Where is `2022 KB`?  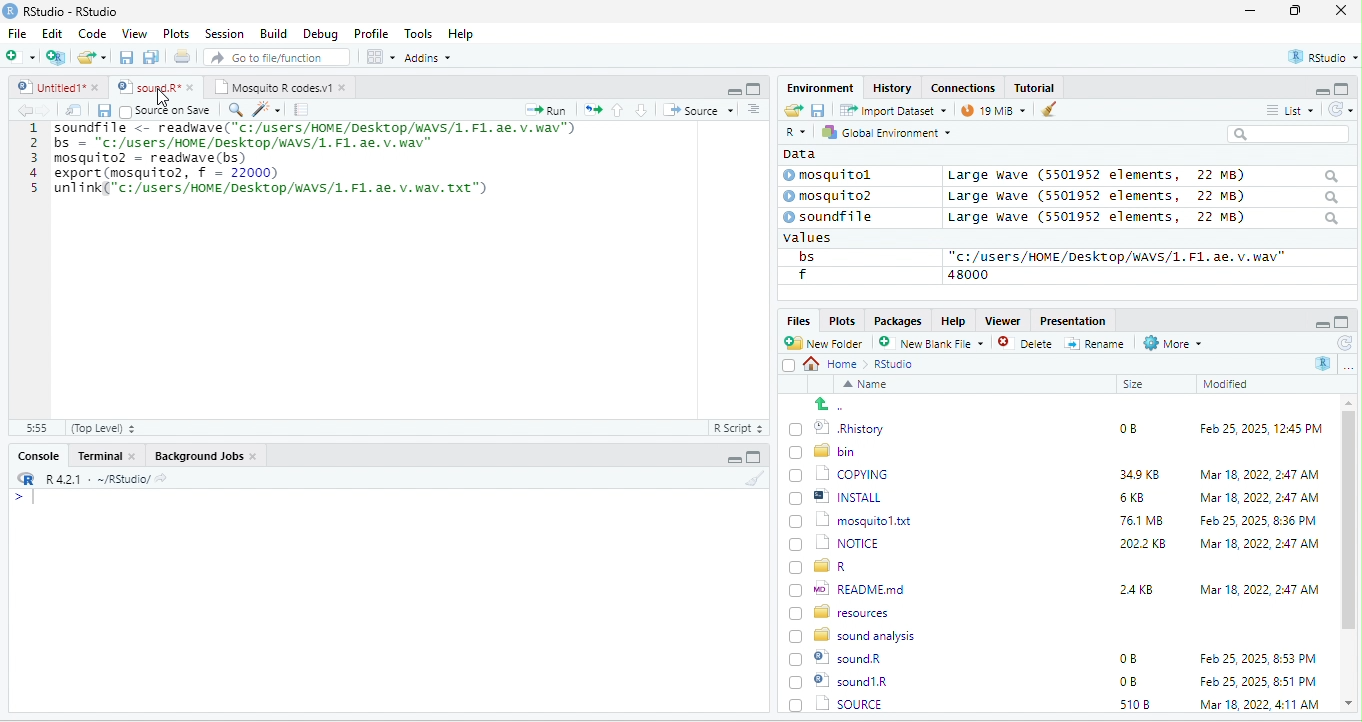 2022 KB is located at coordinates (1144, 545).